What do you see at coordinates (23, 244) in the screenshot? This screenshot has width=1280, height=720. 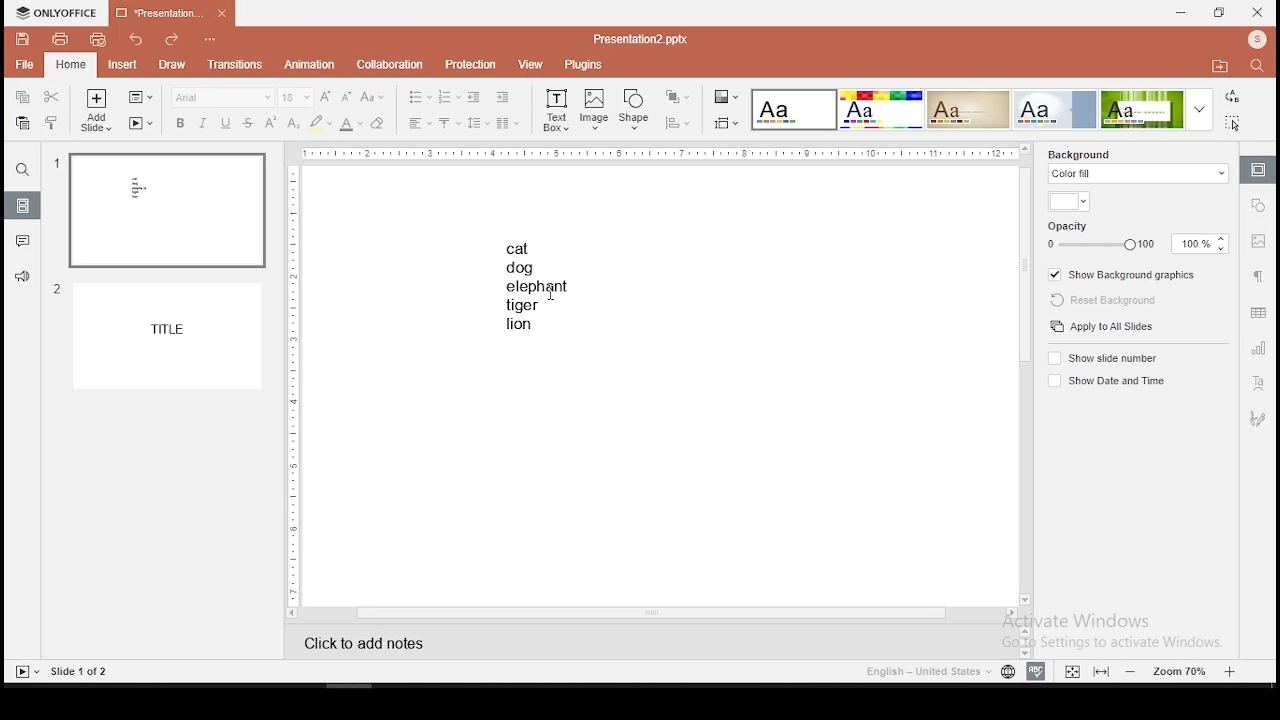 I see `comments` at bounding box center [23, 244].